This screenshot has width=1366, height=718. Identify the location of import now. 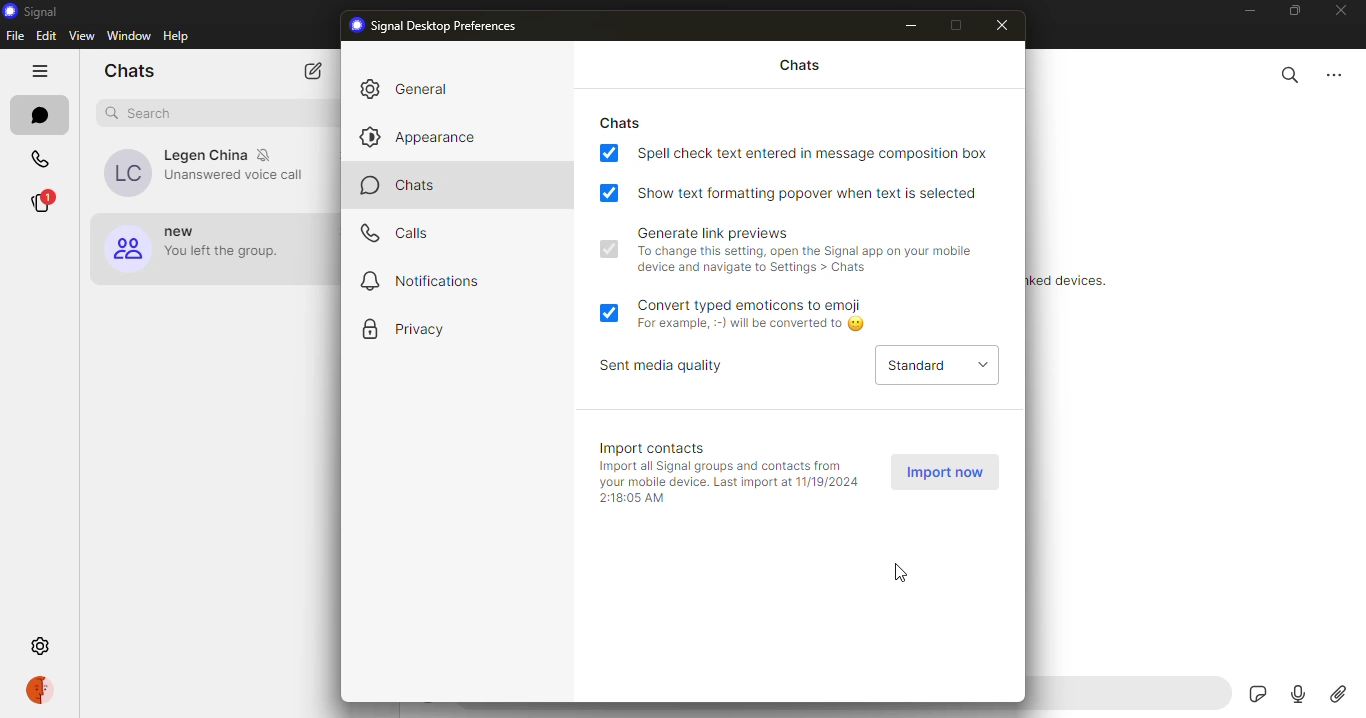
(943, 471).